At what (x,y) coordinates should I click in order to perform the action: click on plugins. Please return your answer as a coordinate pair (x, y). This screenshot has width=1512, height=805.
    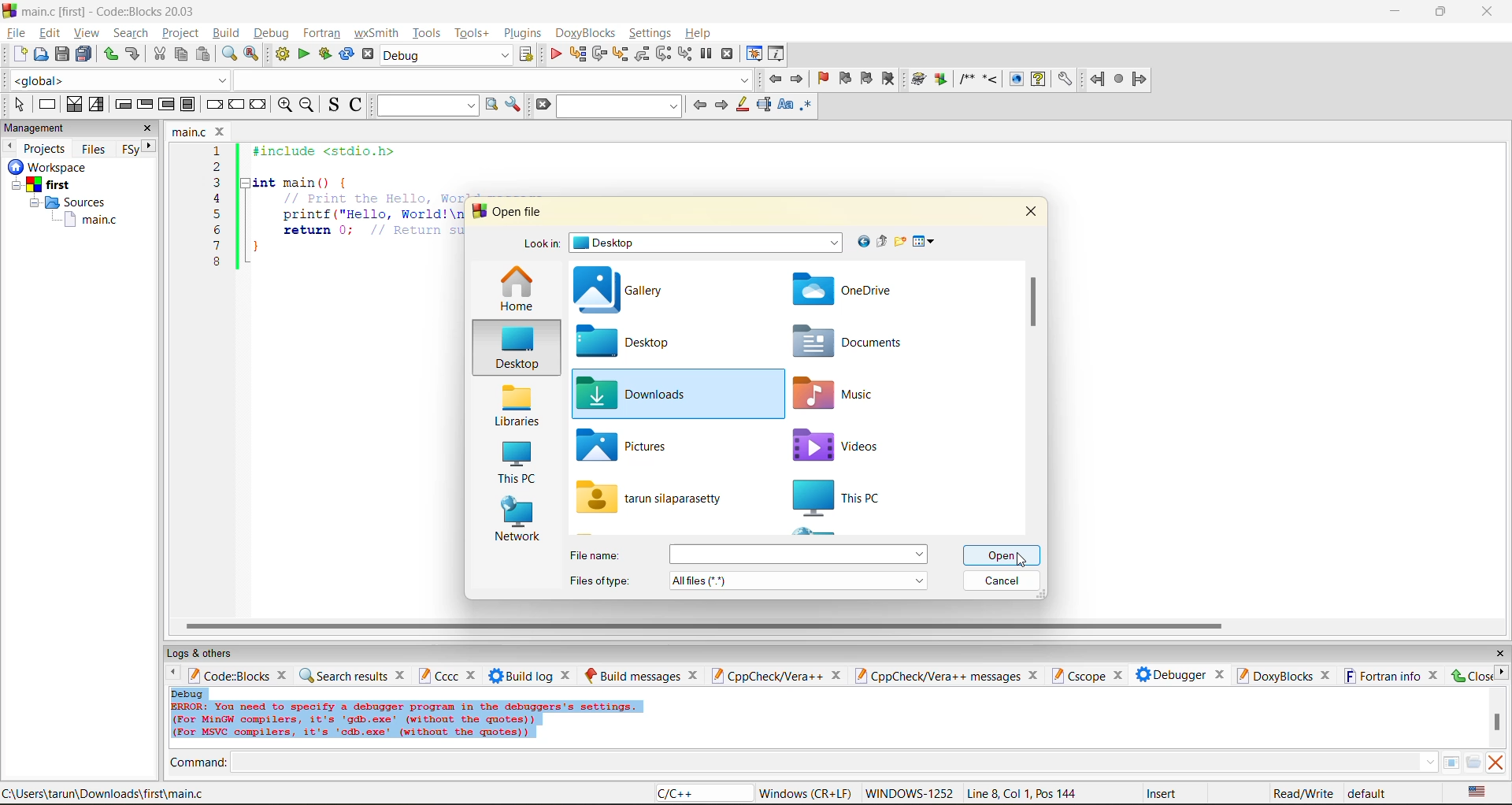
    Looking at the image, I should click on (524, 33).